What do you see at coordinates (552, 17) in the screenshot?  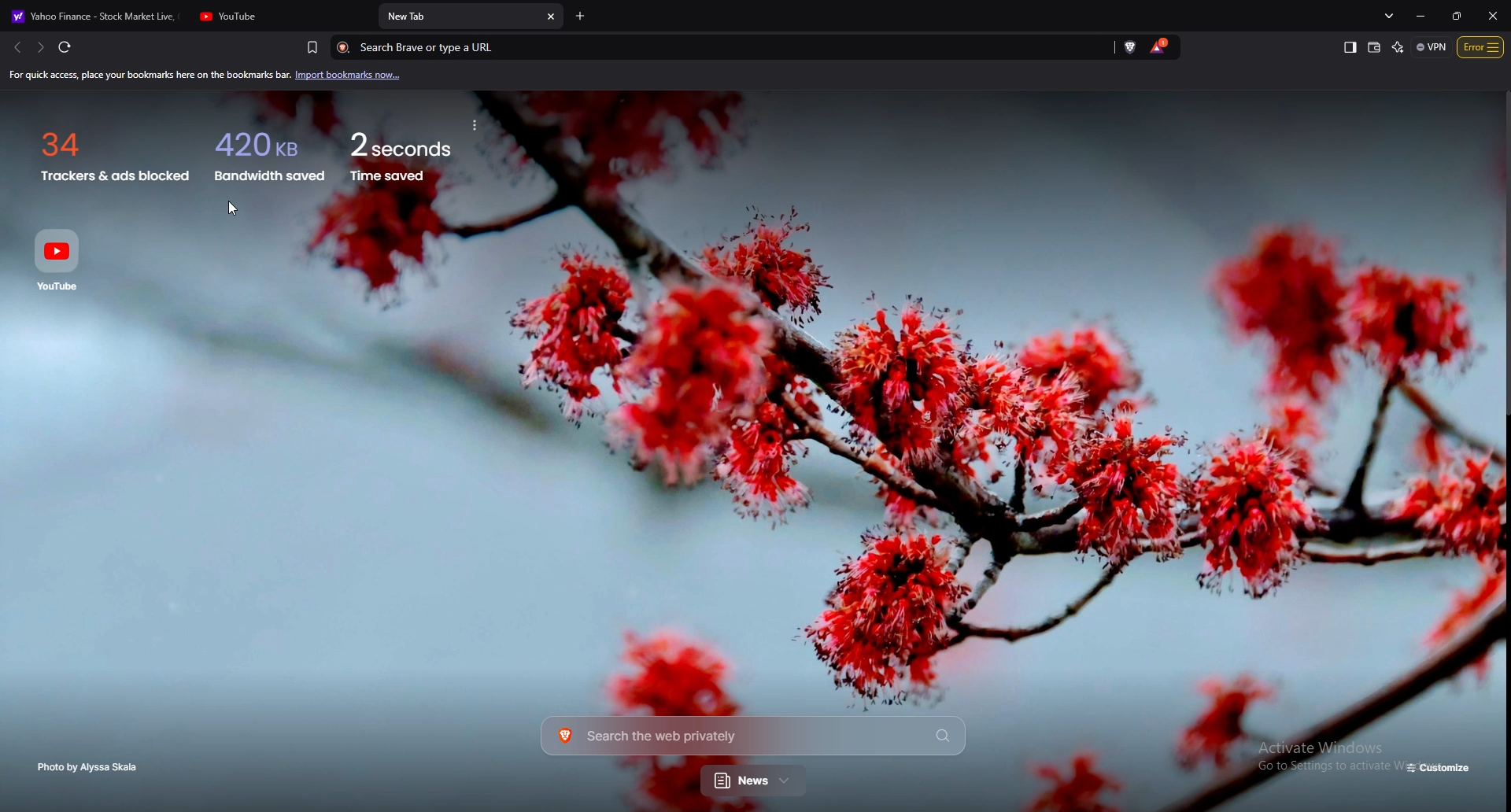 I see `close tab` at bounding box center [552, 17].